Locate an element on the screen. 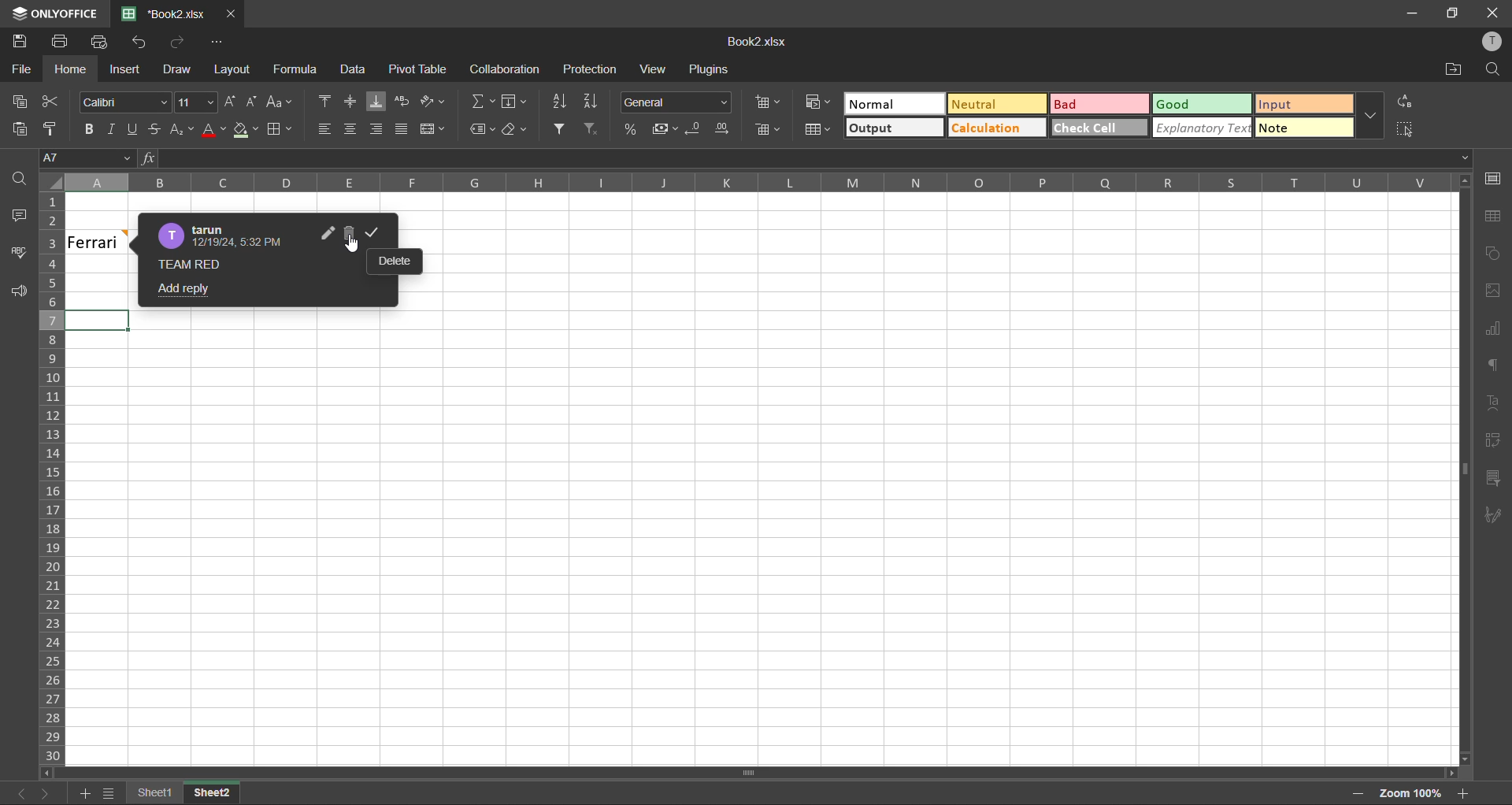 This screenshot has width=1512, height=805. bad is located at coordinates (1100, 105).